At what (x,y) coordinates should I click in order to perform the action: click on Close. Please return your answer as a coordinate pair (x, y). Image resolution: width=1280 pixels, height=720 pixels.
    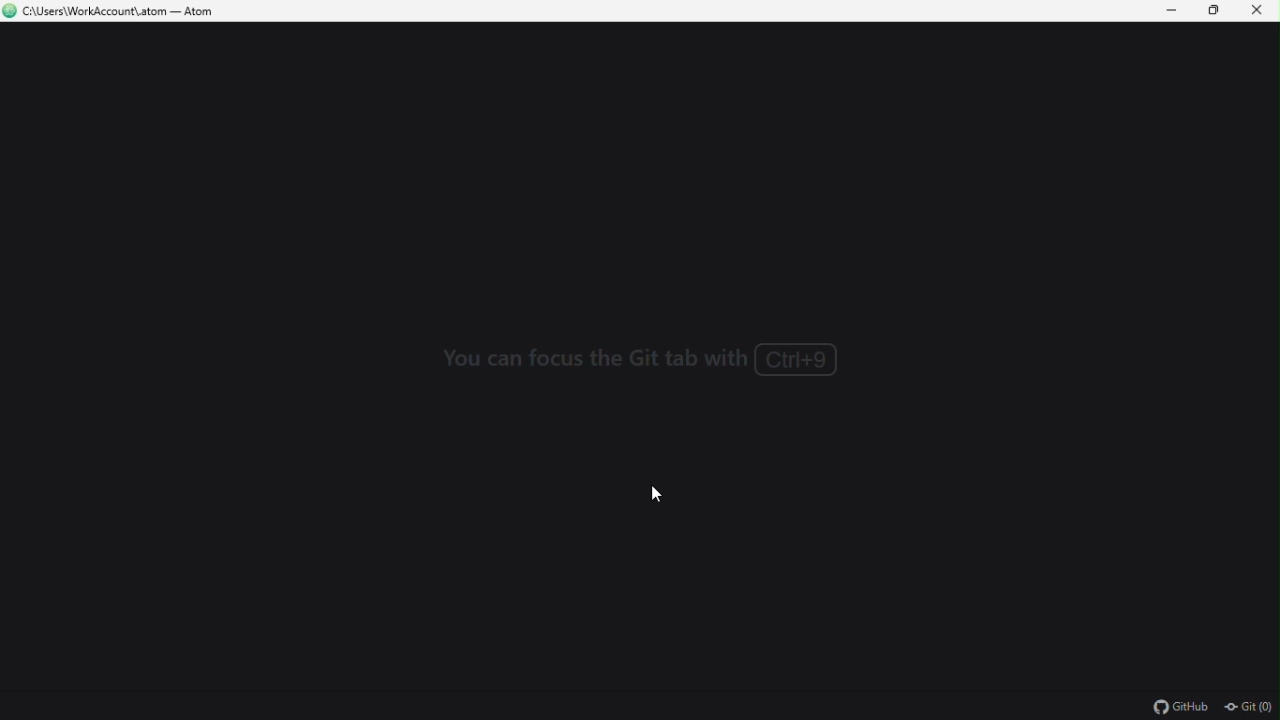
    Looking at the image, I should click on (1263, 13).